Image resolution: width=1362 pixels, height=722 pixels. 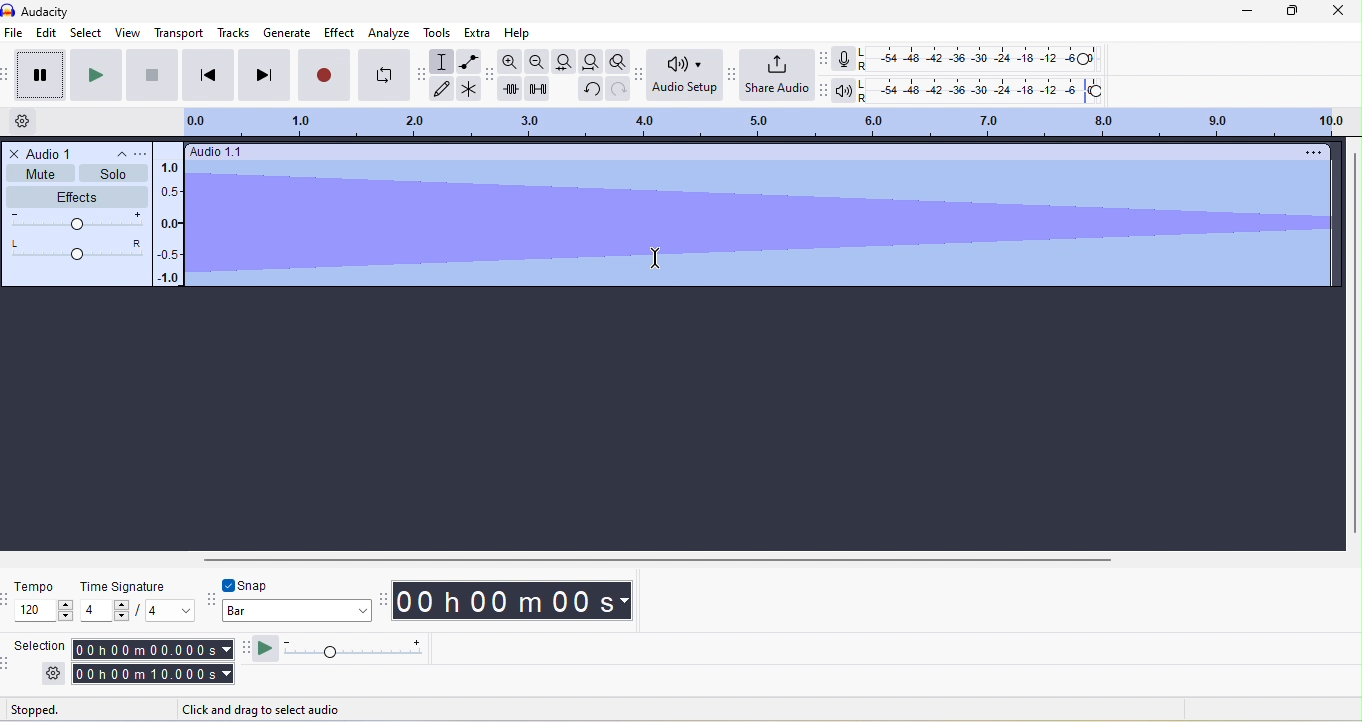 What do you see at coordinates (286, 34) in the screenshot?
I see `generate` at bounding box center [286, 34].